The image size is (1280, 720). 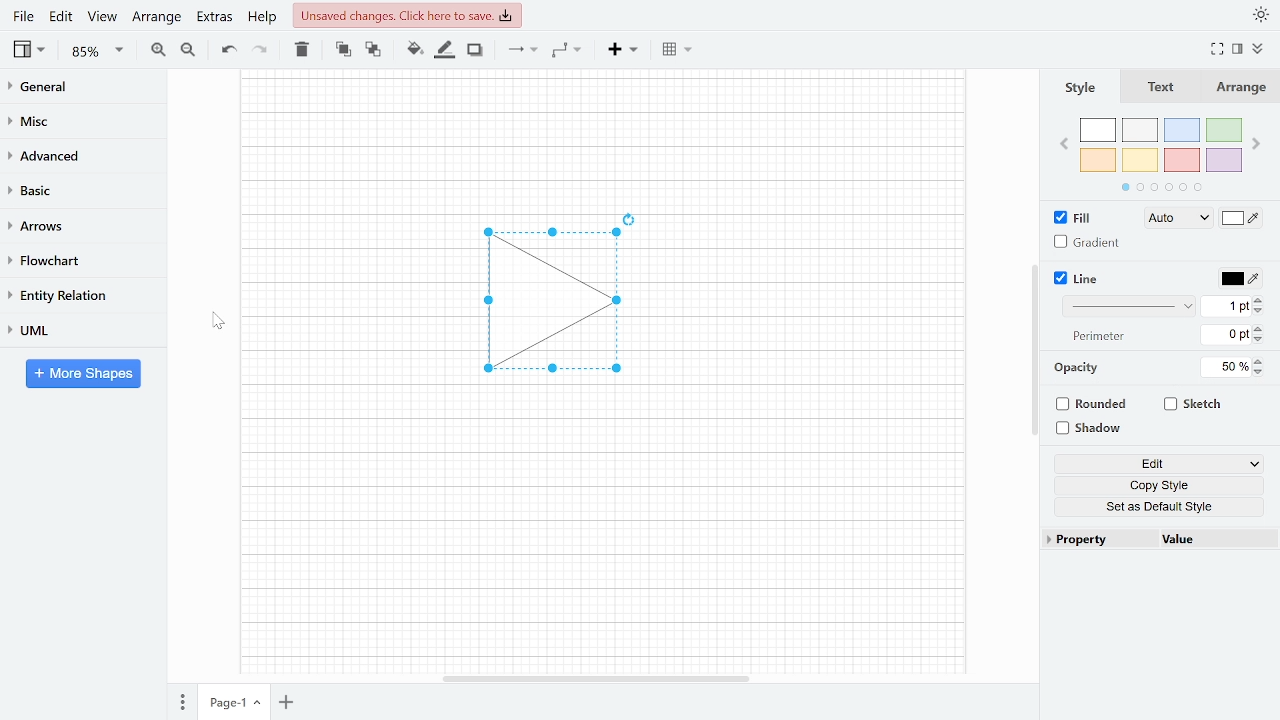 What do you see at coordinates (75, 261) in the screenshot?
I see `Flowchart` at bounding box center [75, 261].